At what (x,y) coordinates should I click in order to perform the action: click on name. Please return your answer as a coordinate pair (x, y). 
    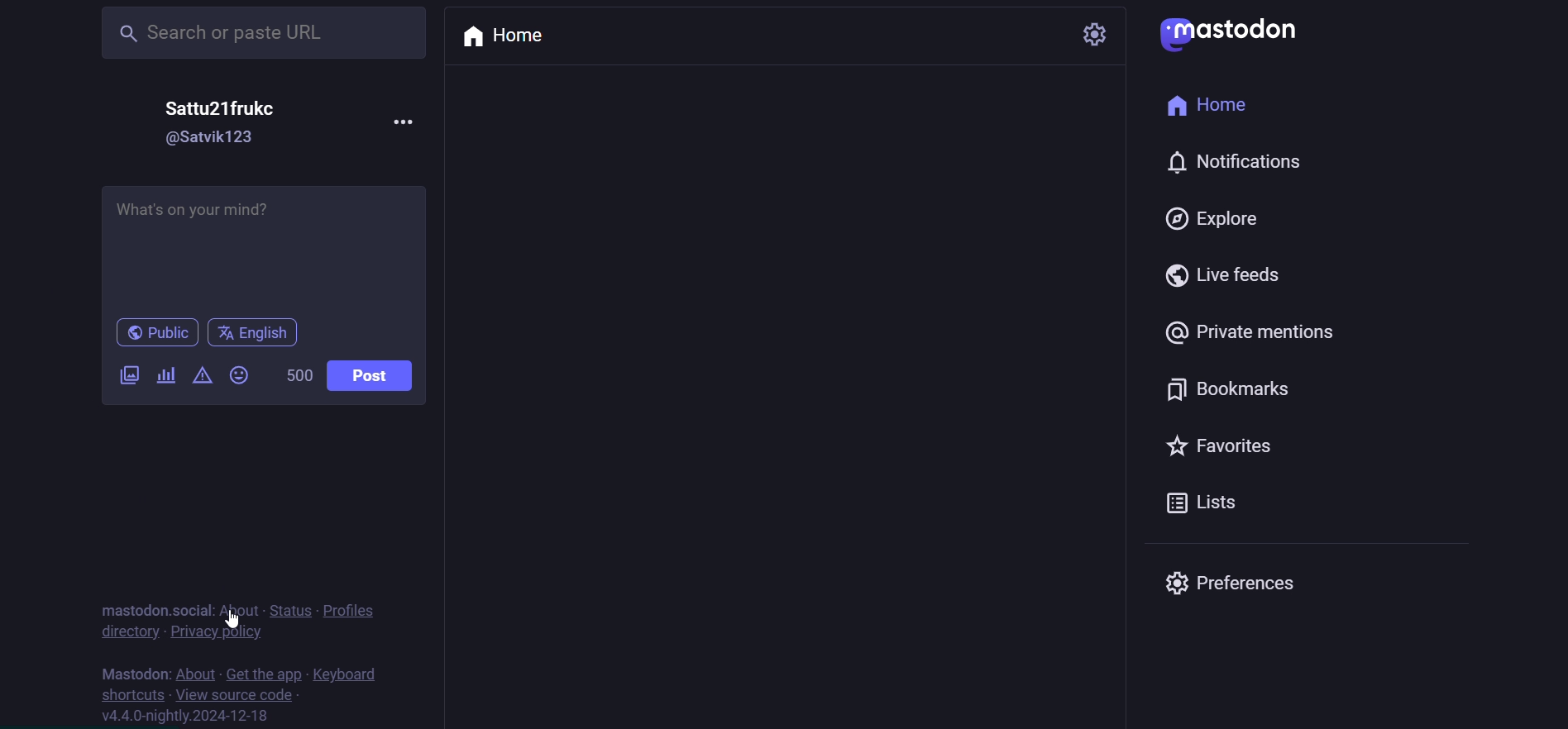
    Looking at the image, I should click on (230, 107).